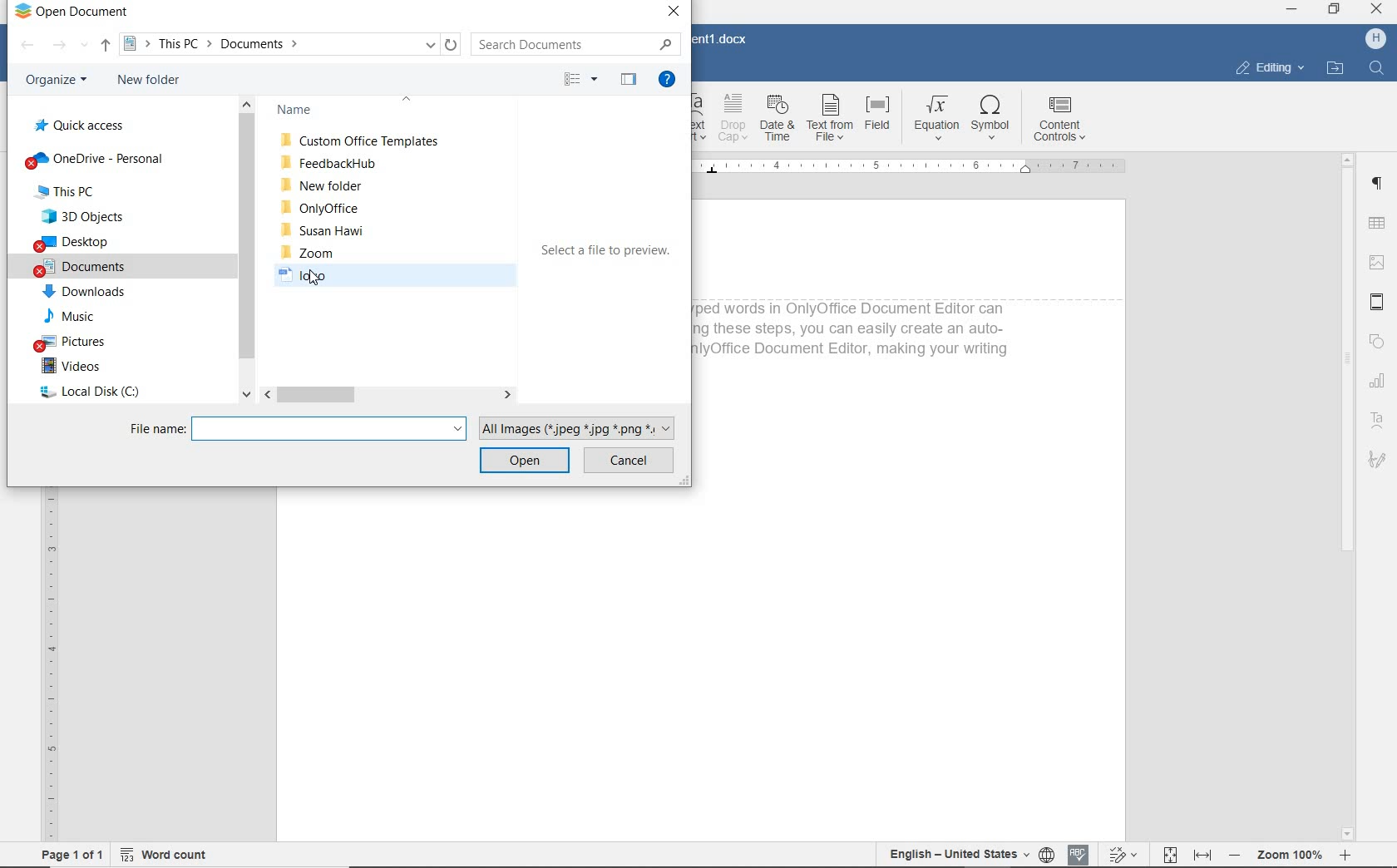  Describe the element at coordinates (247, 248) in the screenshot. I see `SCROLLBAR` at that location.